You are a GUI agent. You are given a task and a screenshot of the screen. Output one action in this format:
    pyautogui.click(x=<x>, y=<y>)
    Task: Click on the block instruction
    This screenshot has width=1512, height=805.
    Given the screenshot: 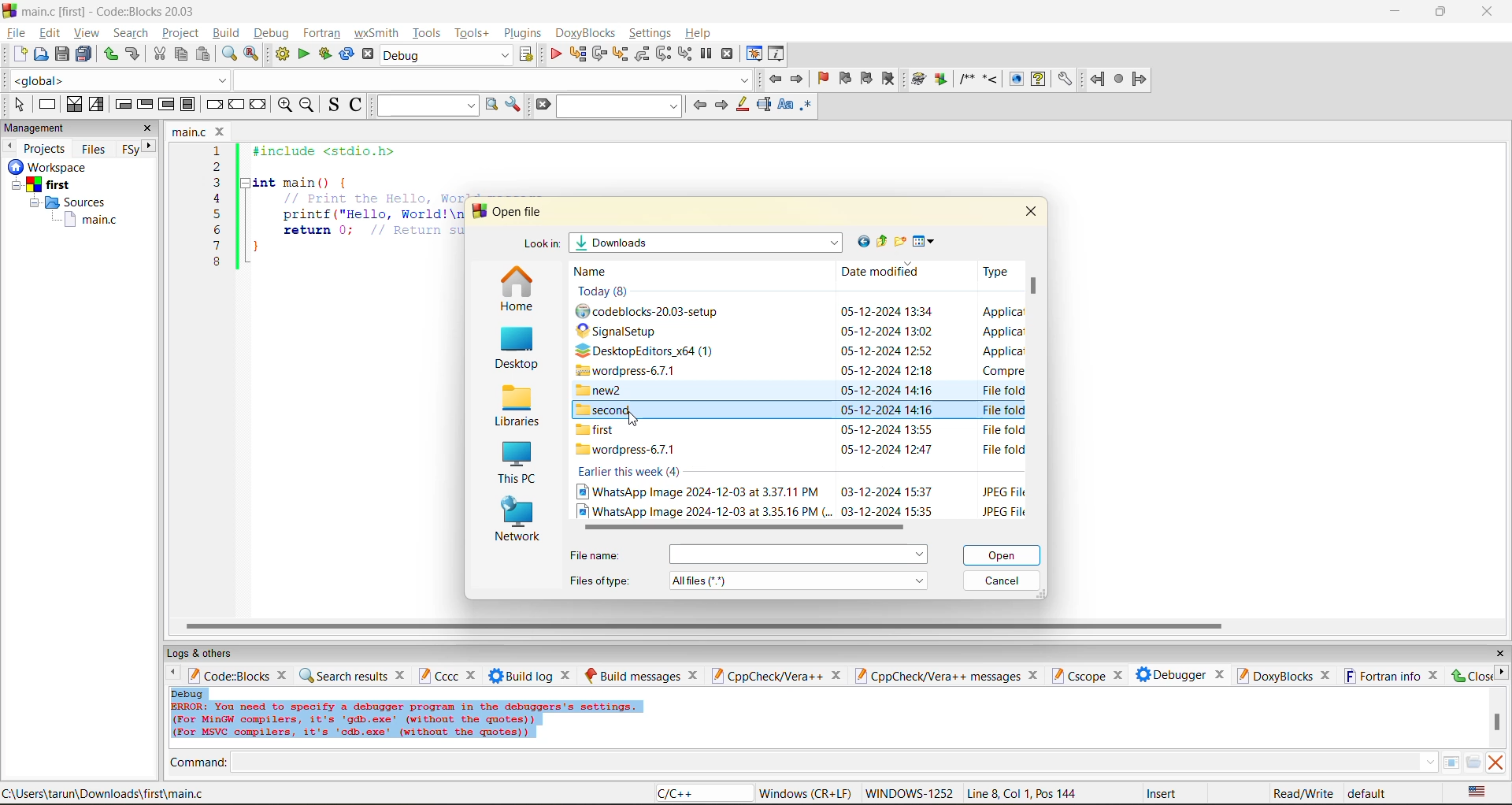 What is the action you would take?
    pyautogui.click(x=188, y=105)
    